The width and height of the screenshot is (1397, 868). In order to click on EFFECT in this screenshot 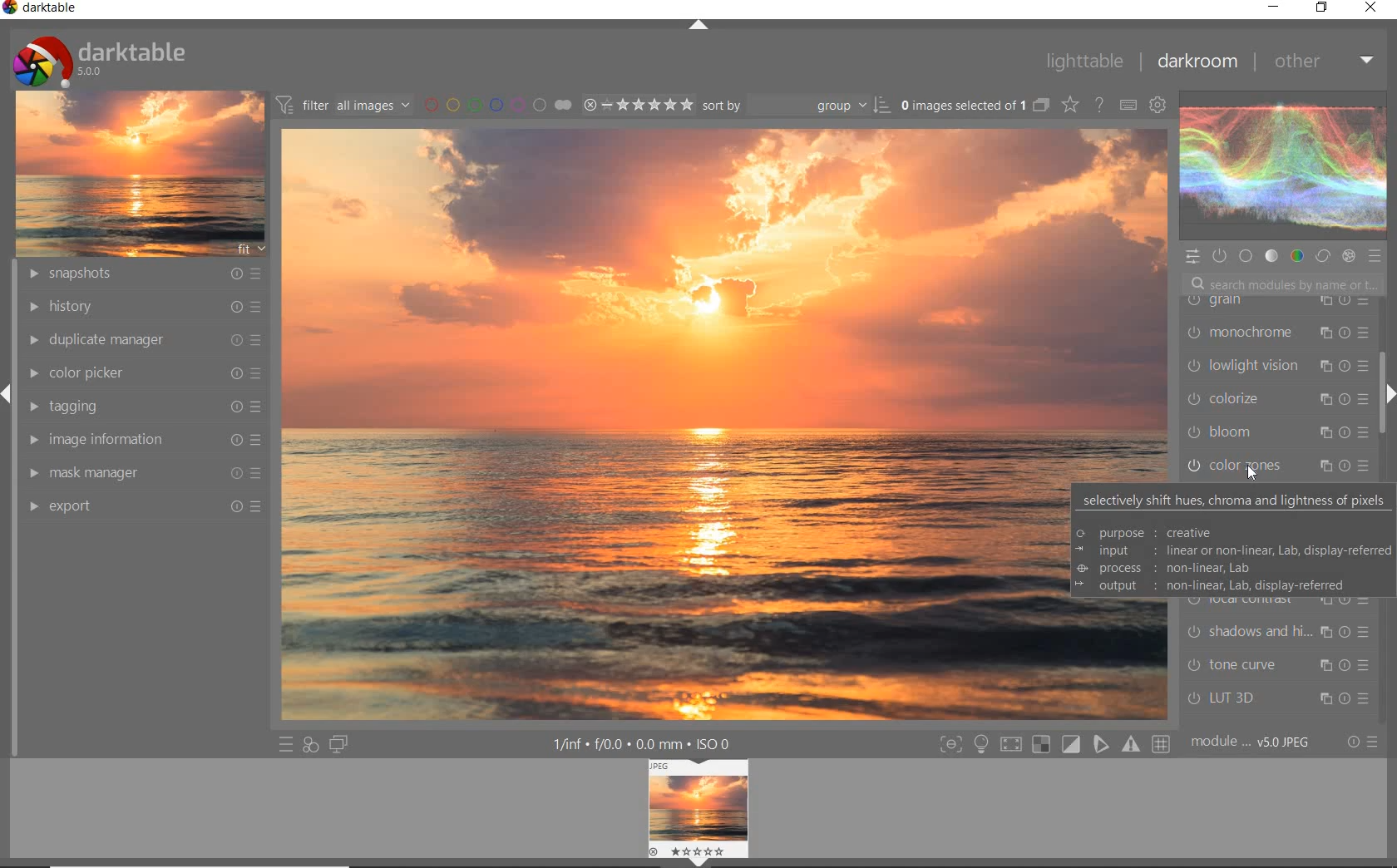, I will do `click(1348, 257)`.